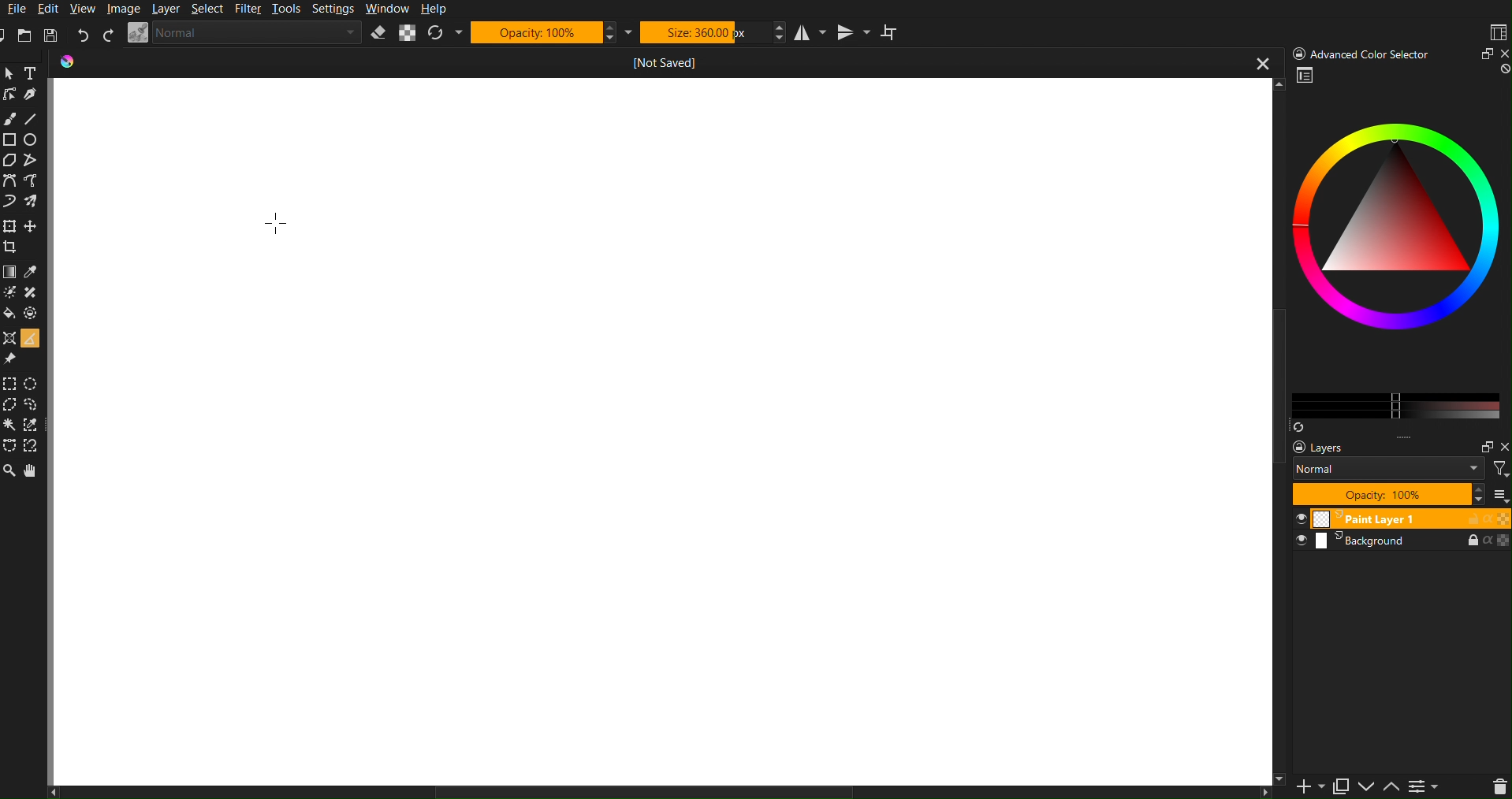 This screenshot has width=1512, height=799. I want to click on Blemish Fixes, so click(33, 294).